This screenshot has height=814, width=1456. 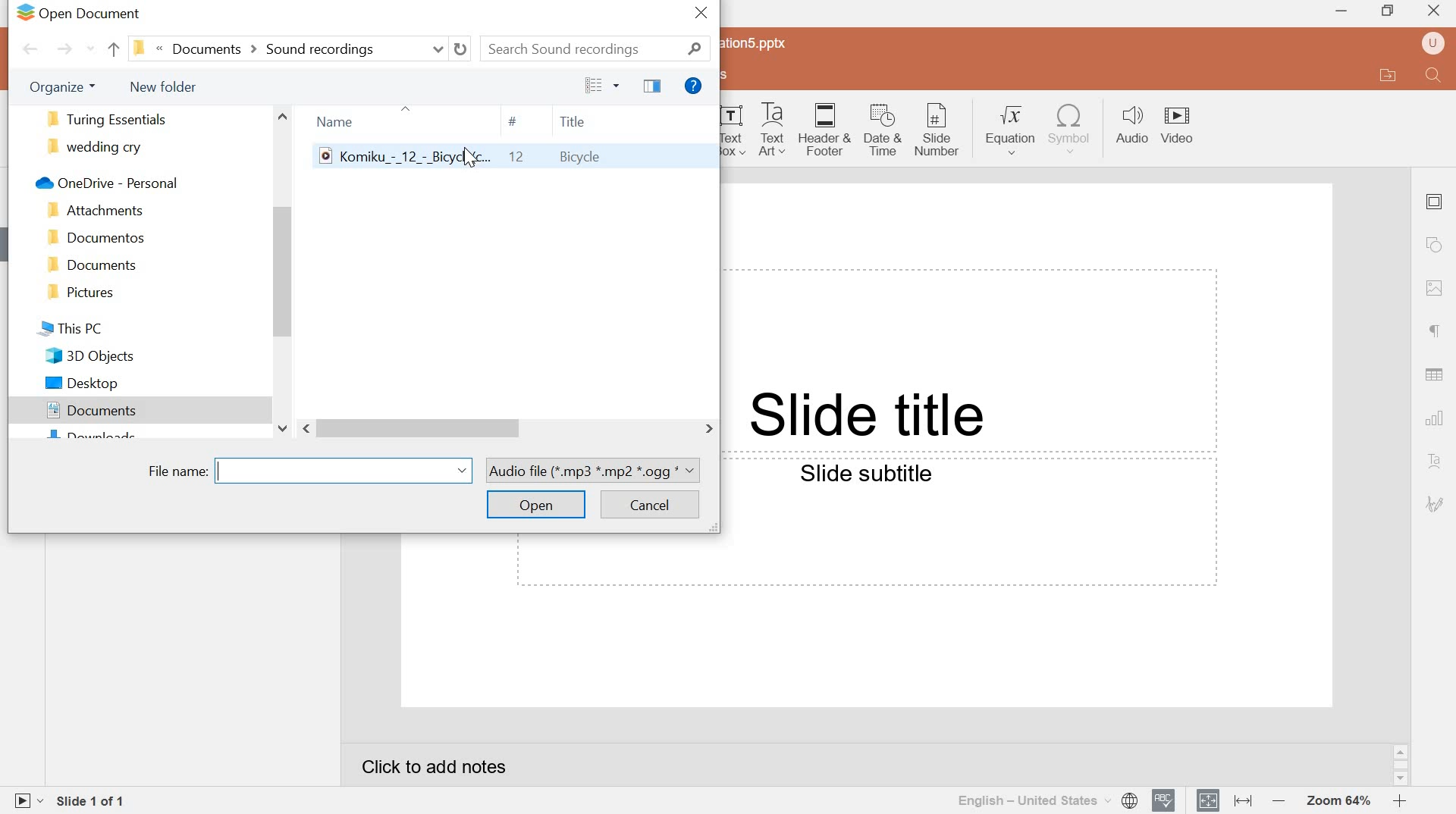 What do you see at coordinates (700, 16) in the screenshot?
I see `close window` at bounding box center [700, 16].